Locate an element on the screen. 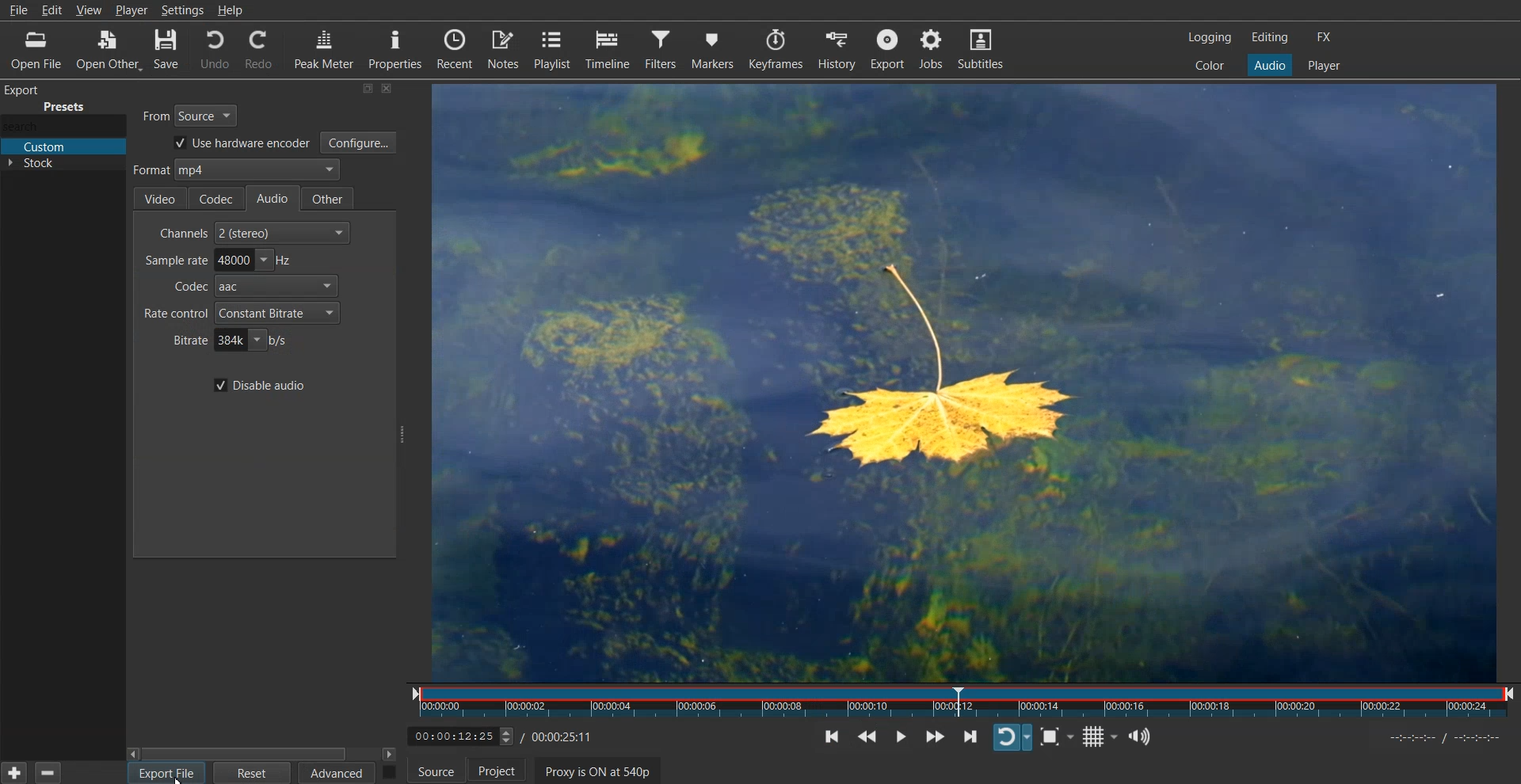 This screenshot has height=784, width=1521. Player is located at coordinates (1324, 66).